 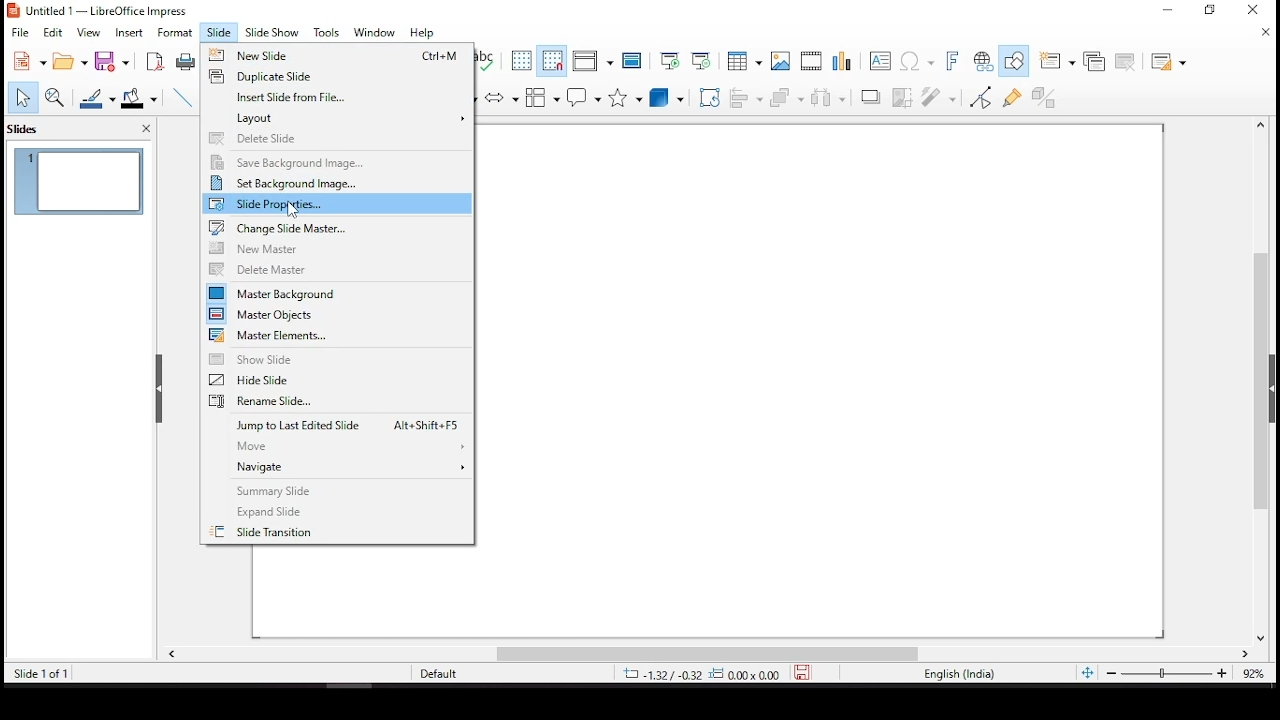 What do you see at coordinates (338, 531) in the screenshot?
I see `slide transition` at bounding box center [338, 531].